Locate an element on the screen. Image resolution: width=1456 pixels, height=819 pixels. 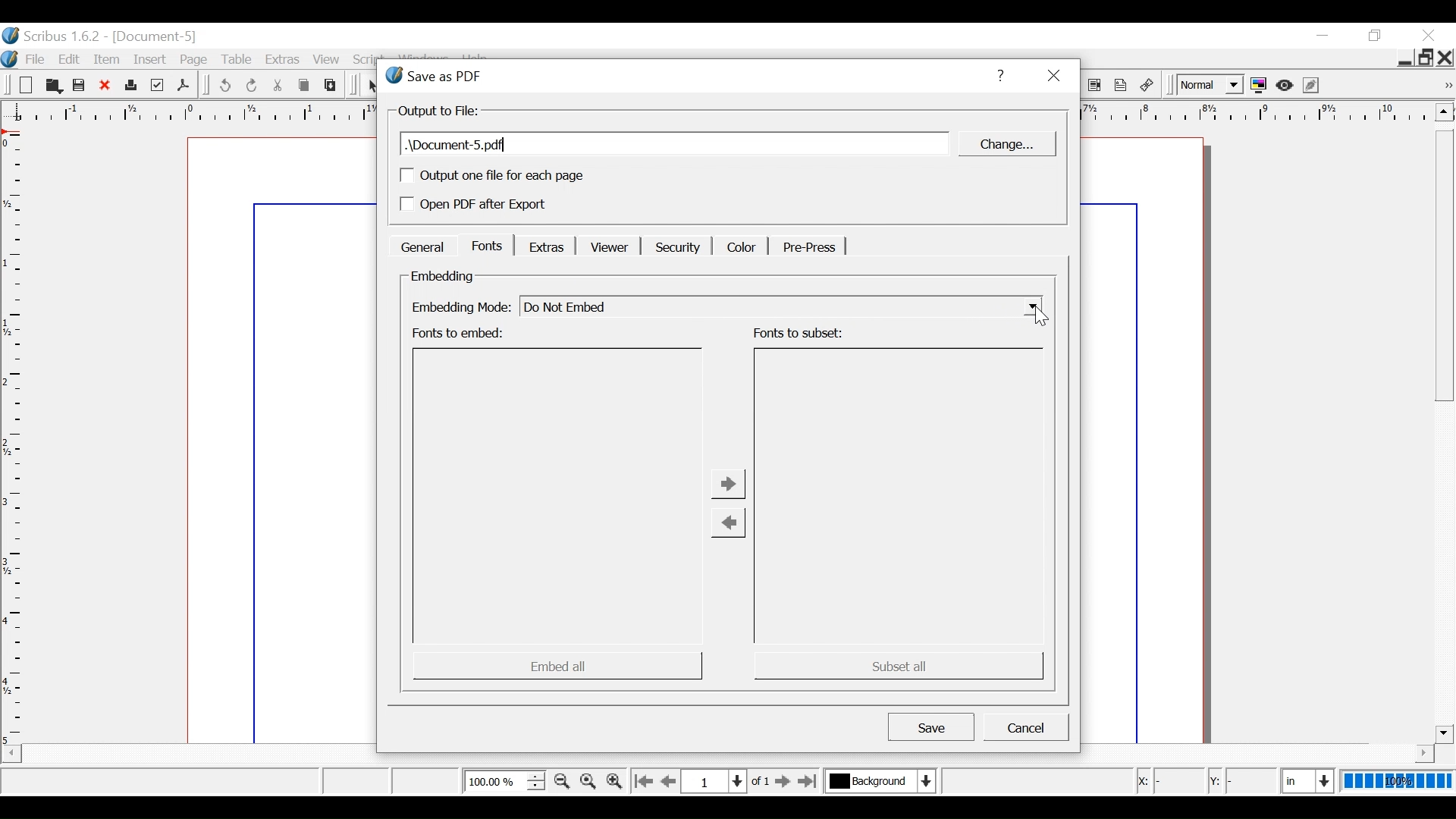
Close is located at coordinates (105, 86).